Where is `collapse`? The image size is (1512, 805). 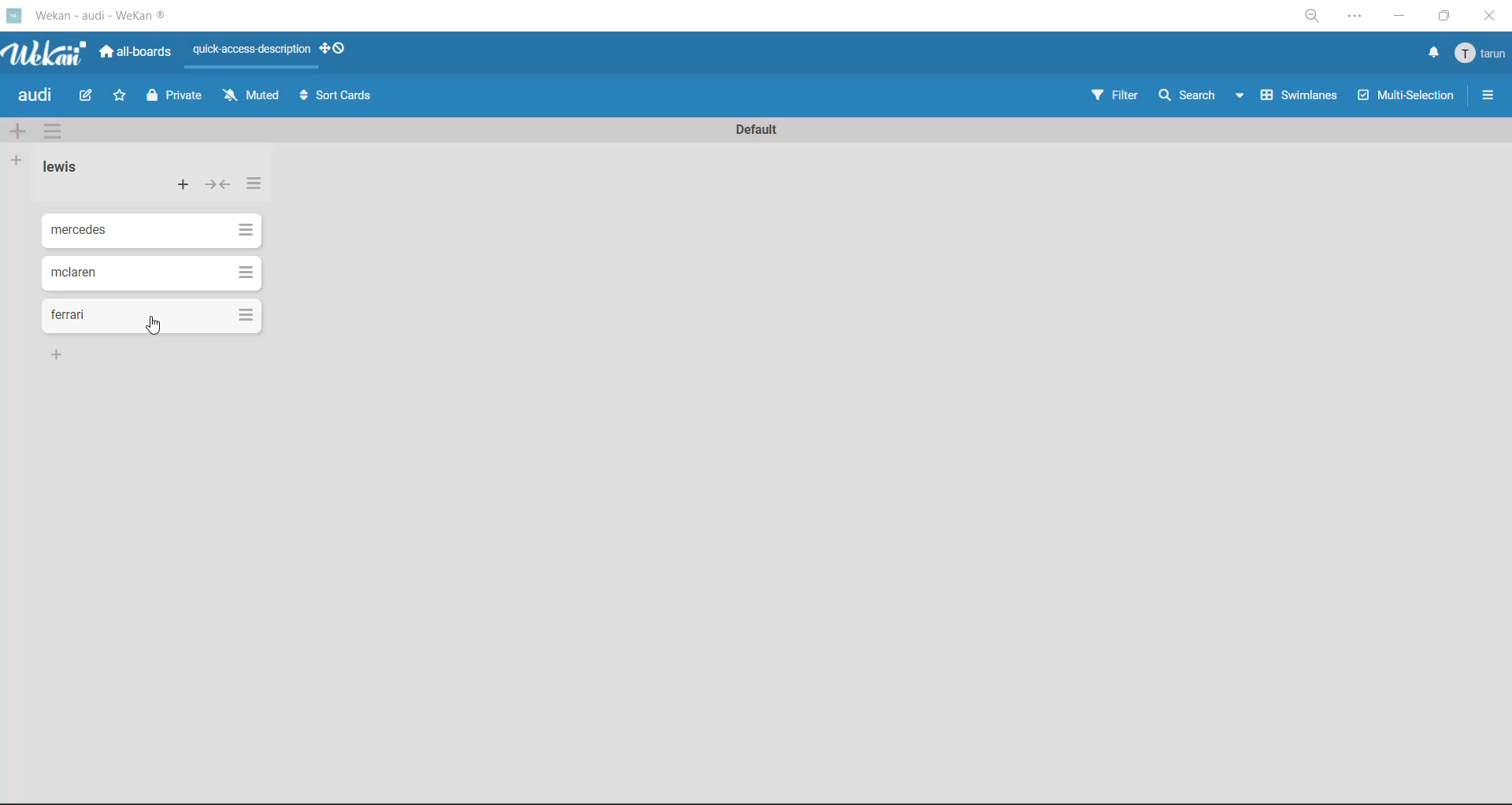
collapse is located at coordinates (217, 187).